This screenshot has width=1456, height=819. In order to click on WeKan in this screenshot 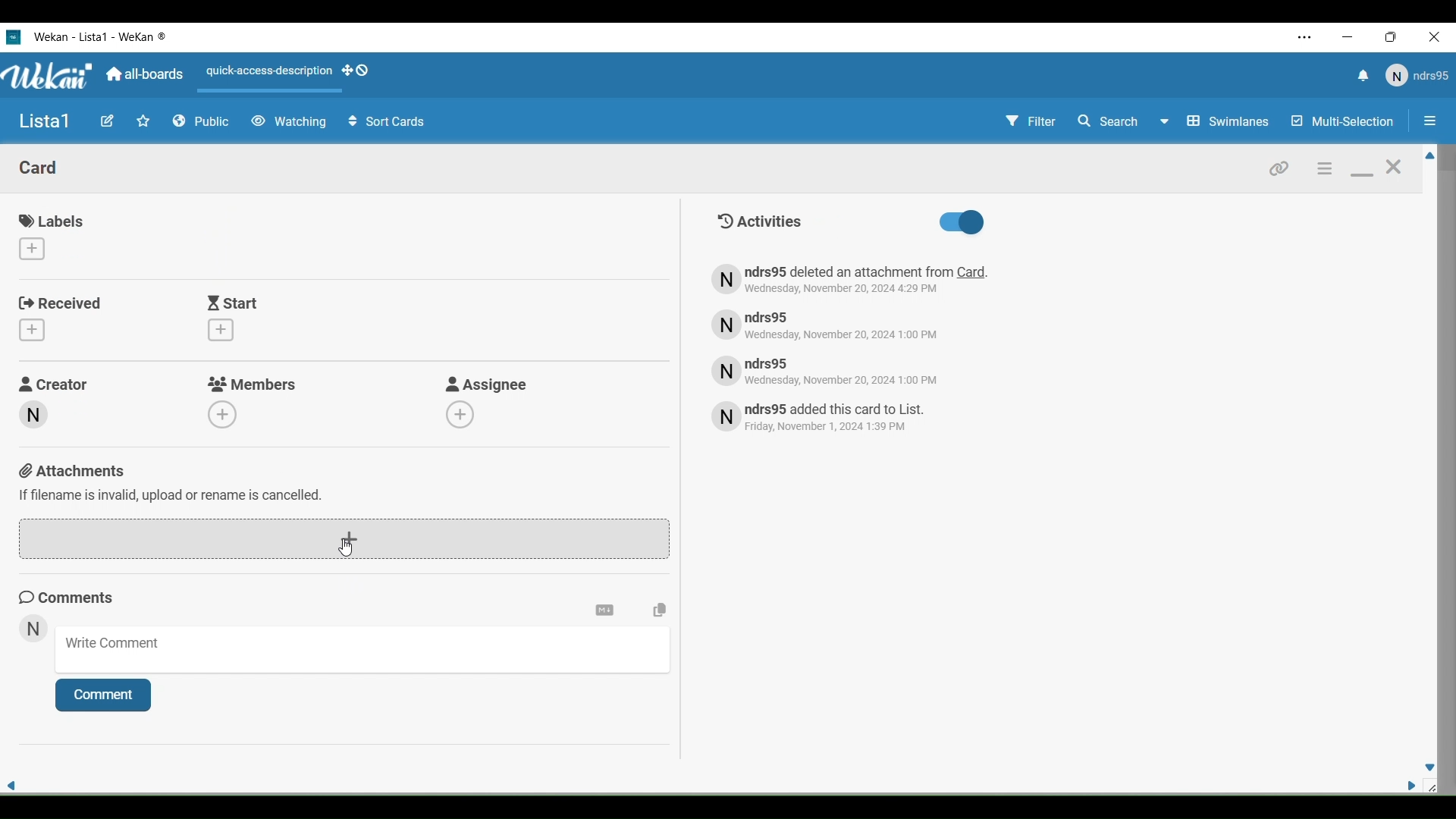, I will do `click(102, 36)`.